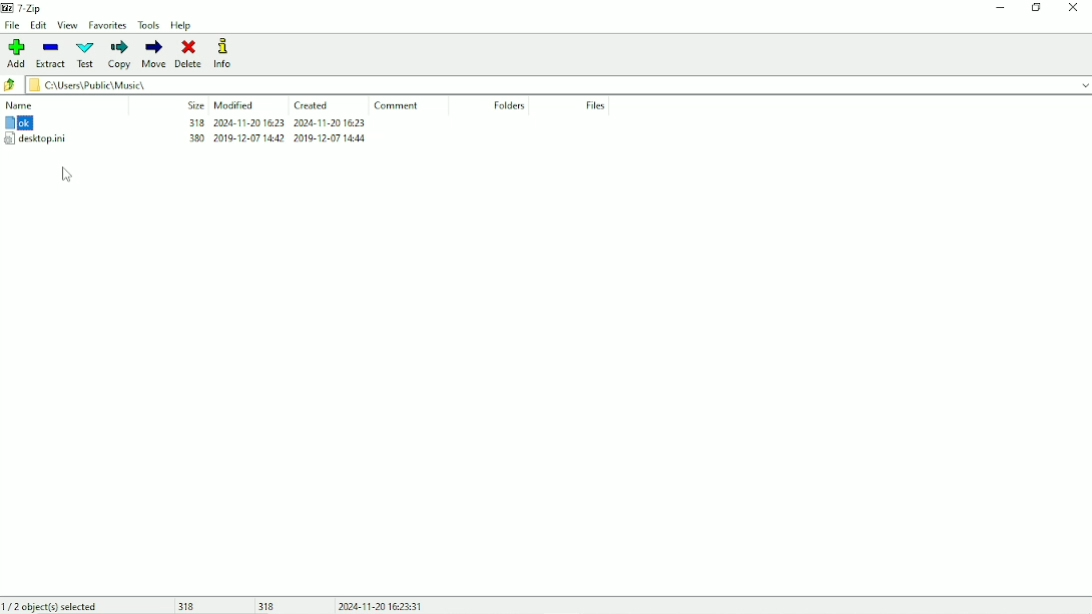  Describe the element at coordinates (268, 605) in the screenshot. I see `318` at that location.